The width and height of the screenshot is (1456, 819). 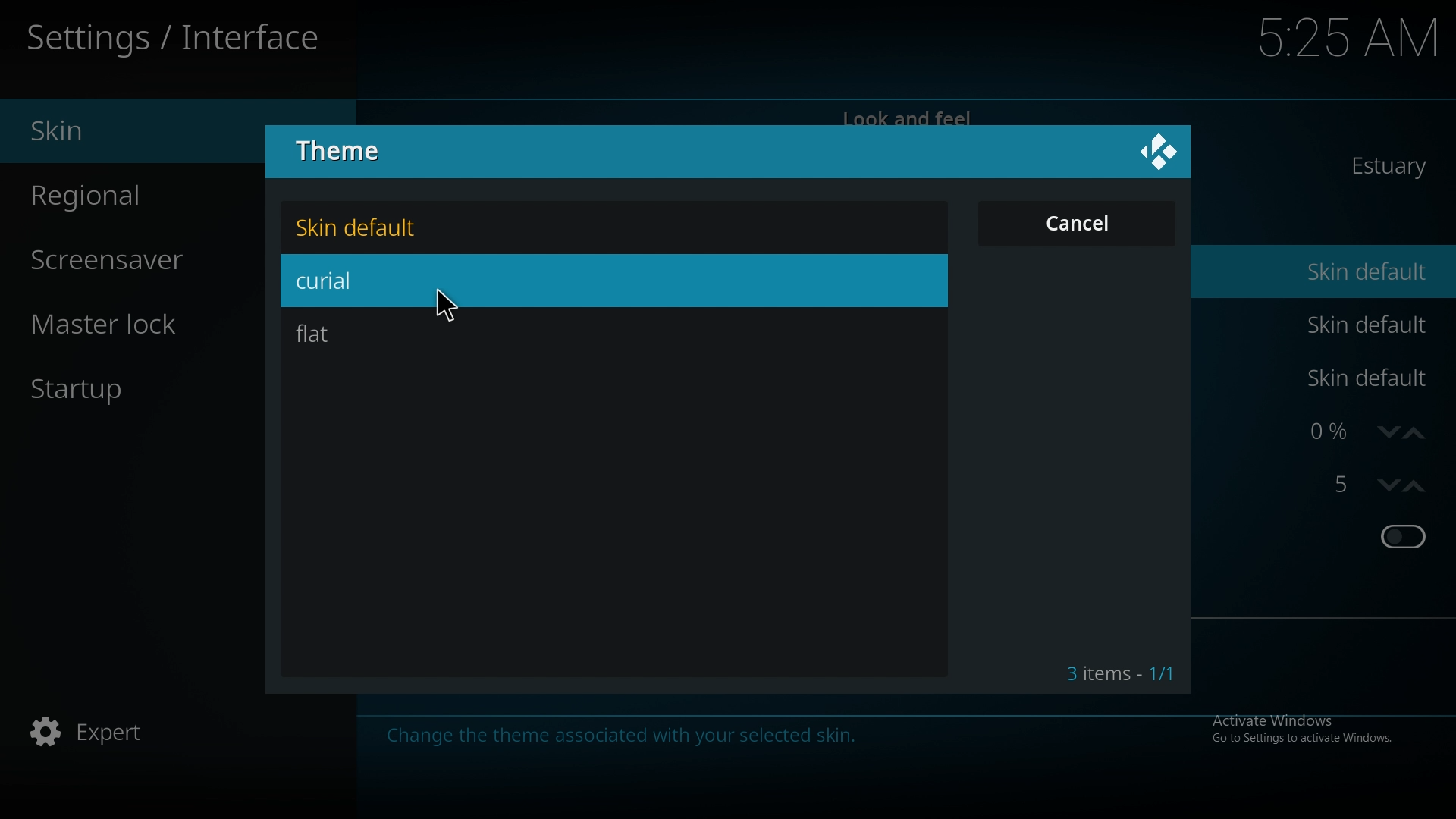 What do you see at coordinates (364, 282) in the screenshot?
I see `curial` at bounding box center [364, 282].